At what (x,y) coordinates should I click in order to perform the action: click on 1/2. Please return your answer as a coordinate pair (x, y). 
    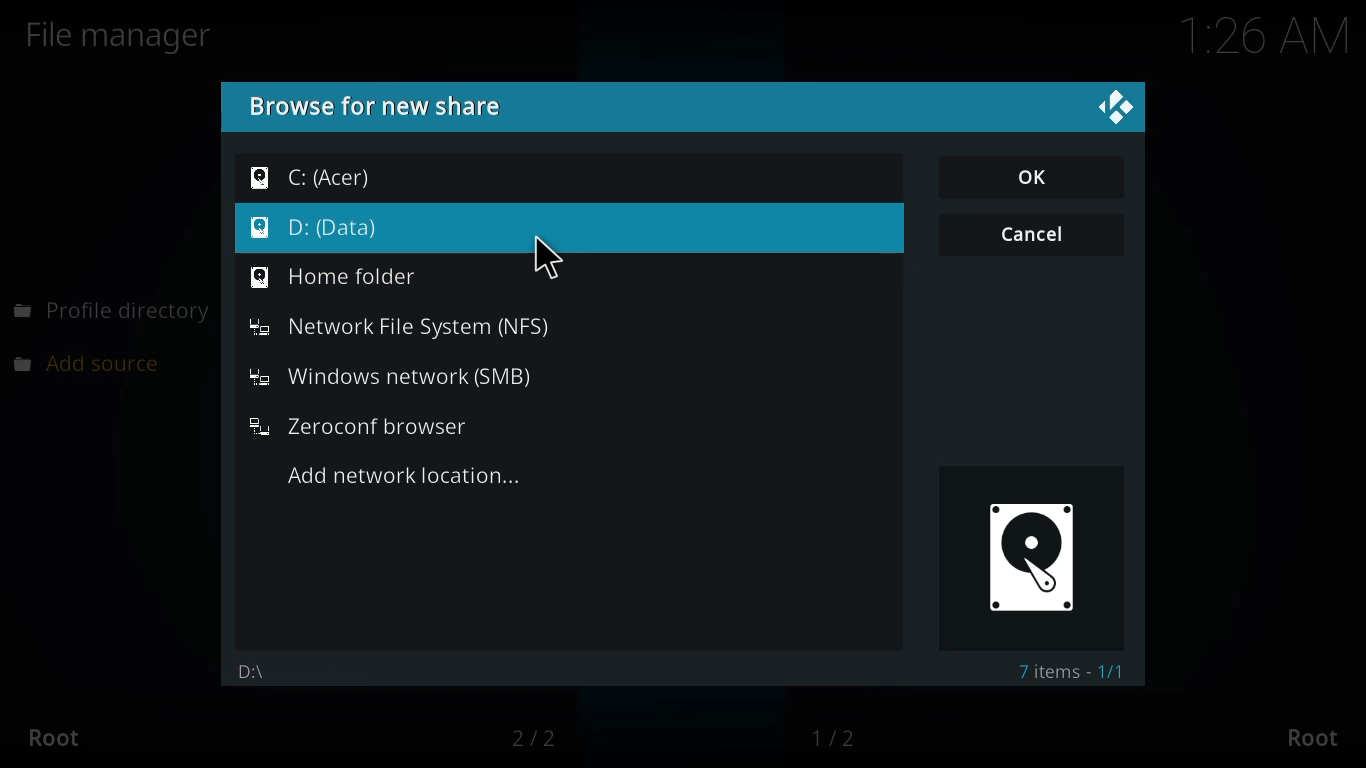
    Looking at the image, I should click on (839, 737).